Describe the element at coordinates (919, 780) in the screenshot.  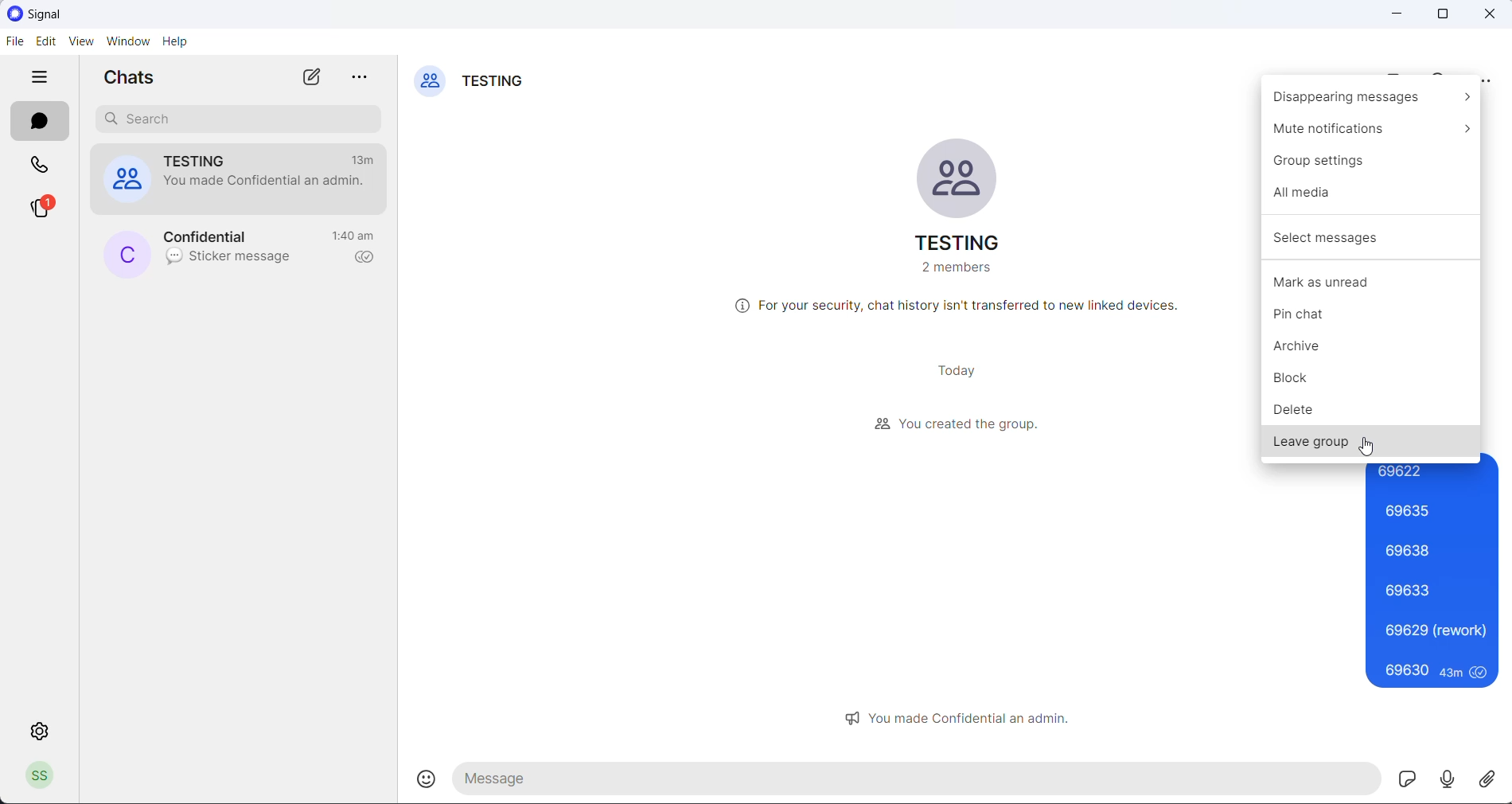
I see `message text area` at that location.